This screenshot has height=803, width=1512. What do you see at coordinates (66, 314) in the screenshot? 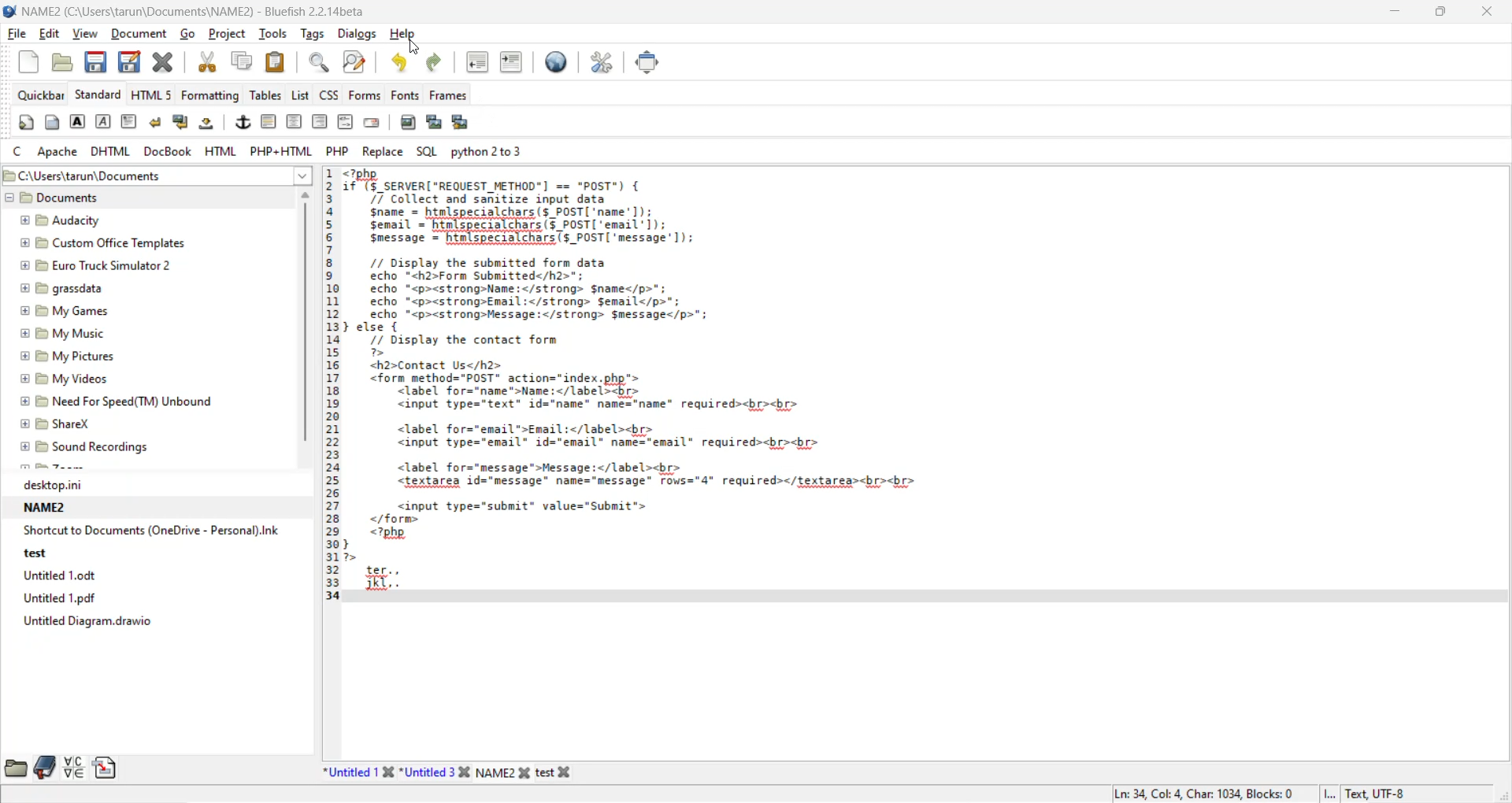
I see `My Games` at bounding box center [66, 314].